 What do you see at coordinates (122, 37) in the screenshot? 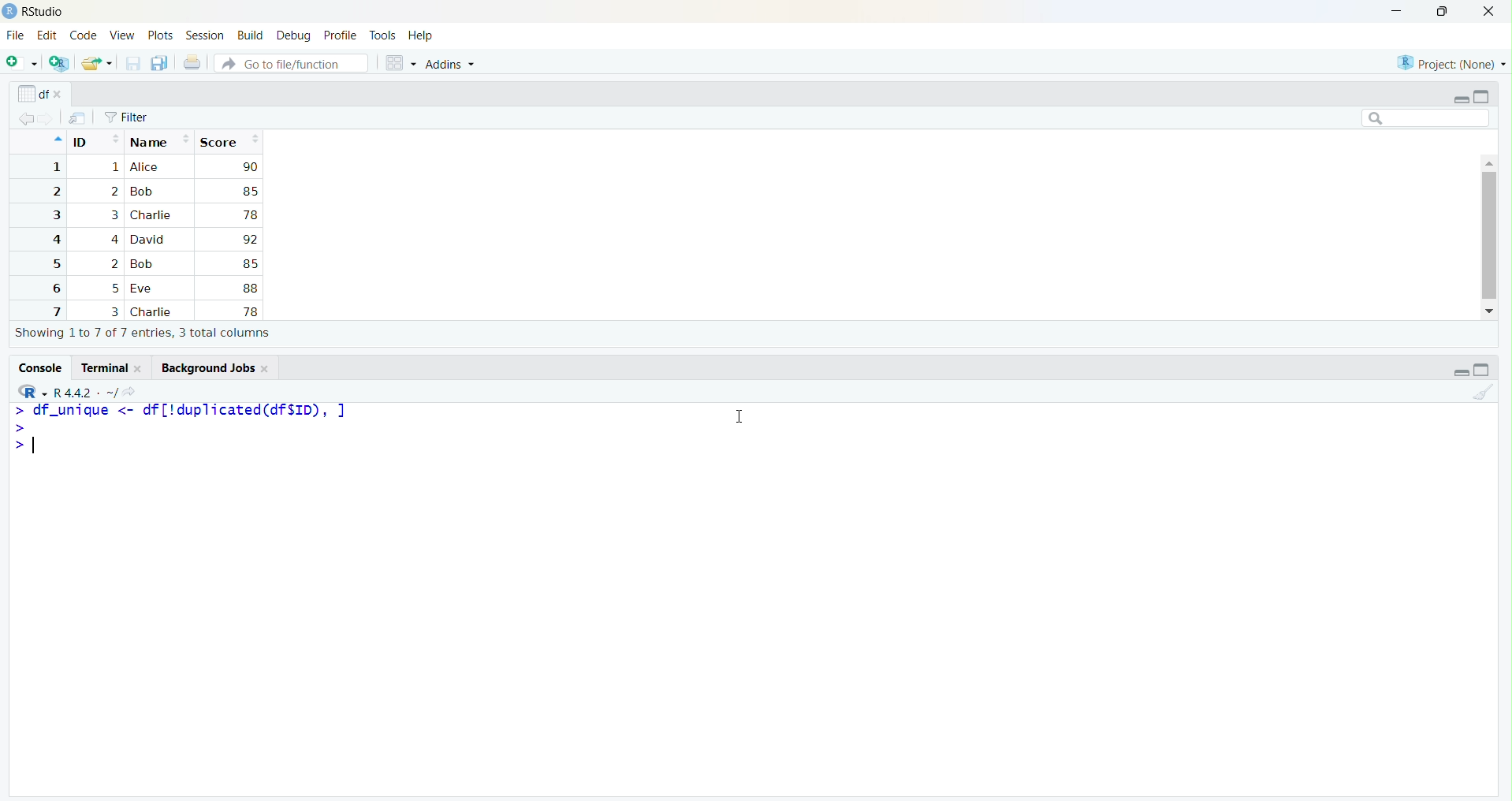
I see `View` at bounding box center [122, 37].